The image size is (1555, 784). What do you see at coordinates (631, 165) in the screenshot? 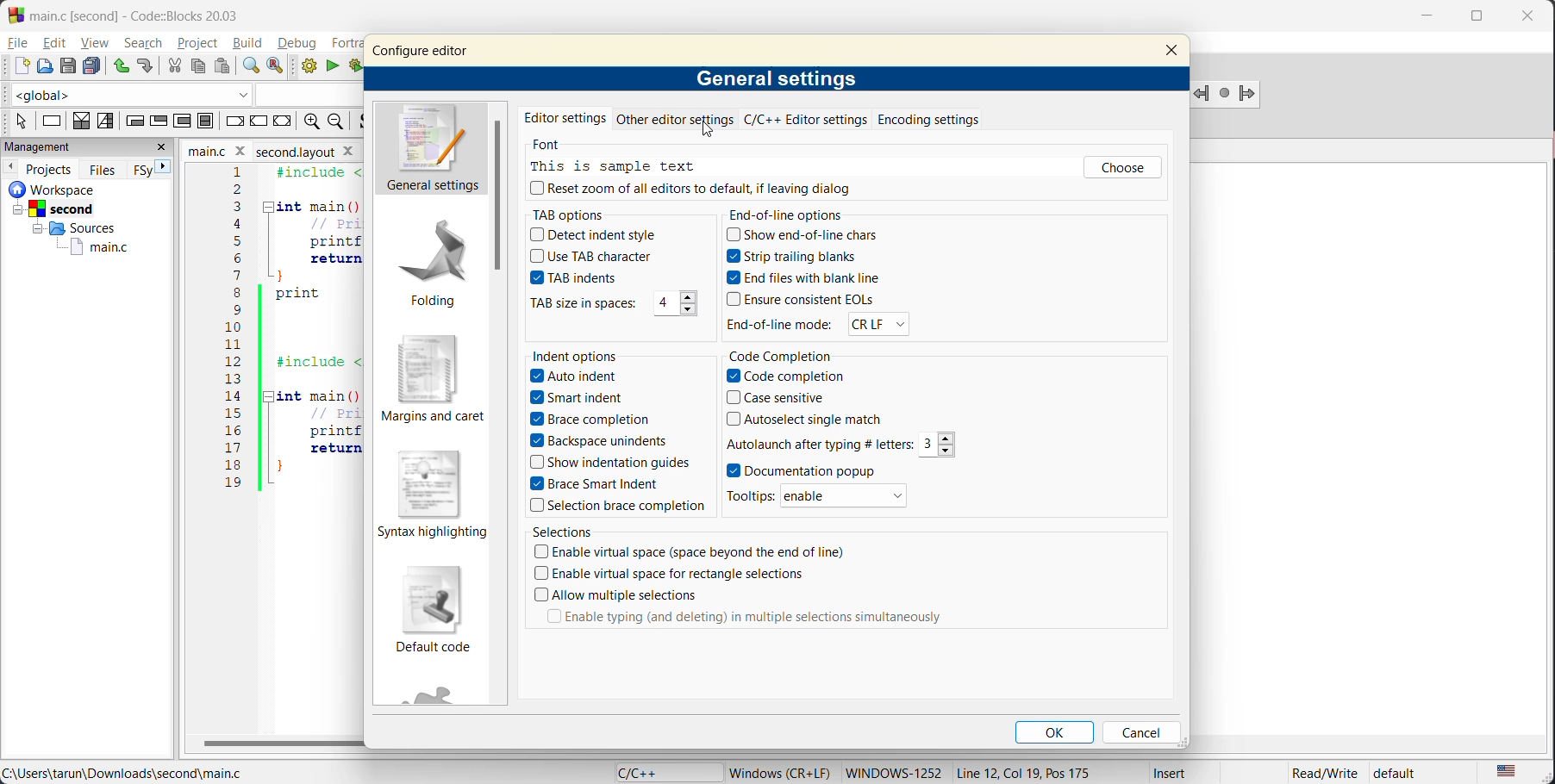
I see `this is a sample text` at bounding box center [631, 165].